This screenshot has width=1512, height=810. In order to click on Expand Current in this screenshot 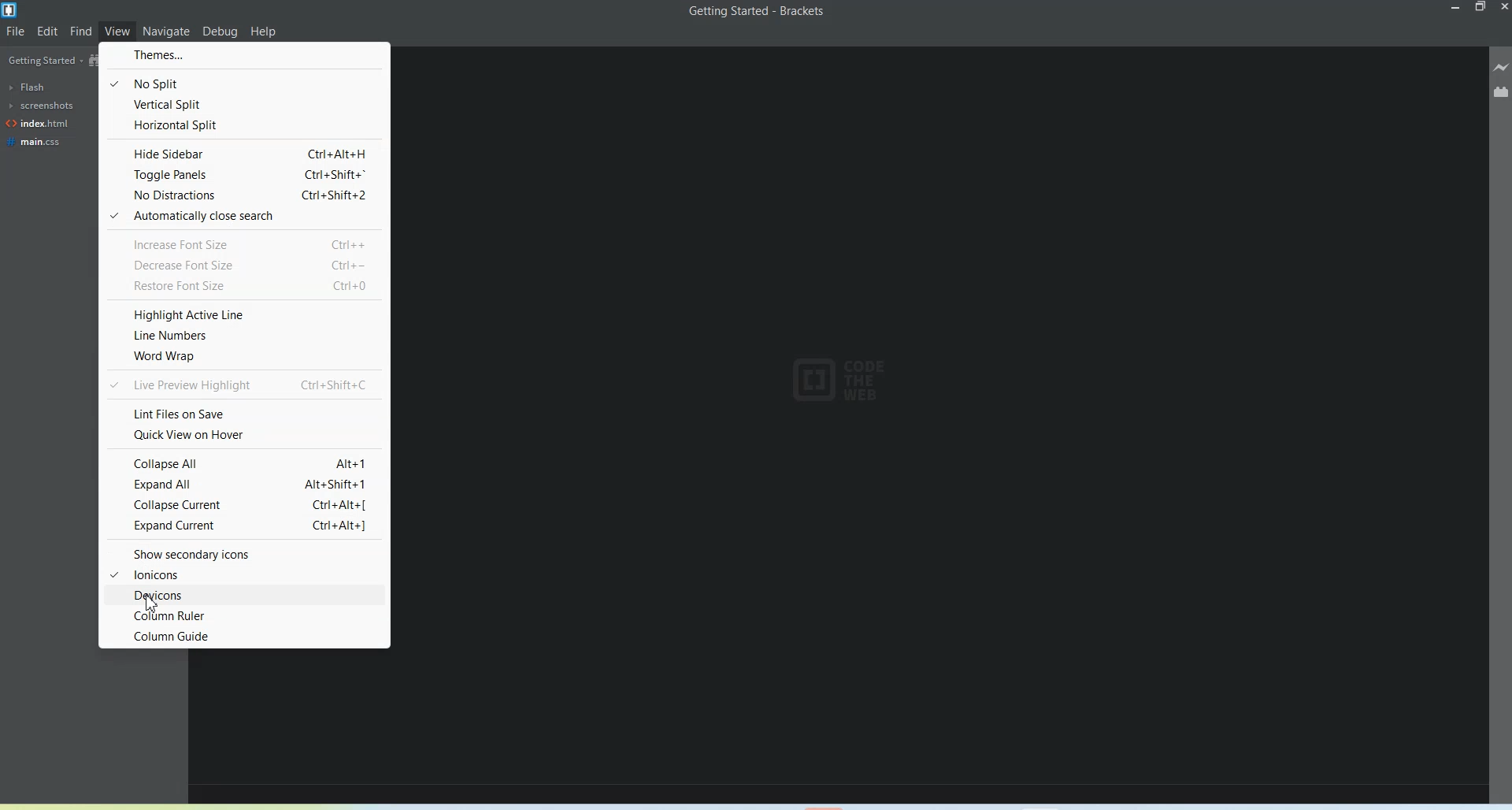, I will do `click(245, 527)`.